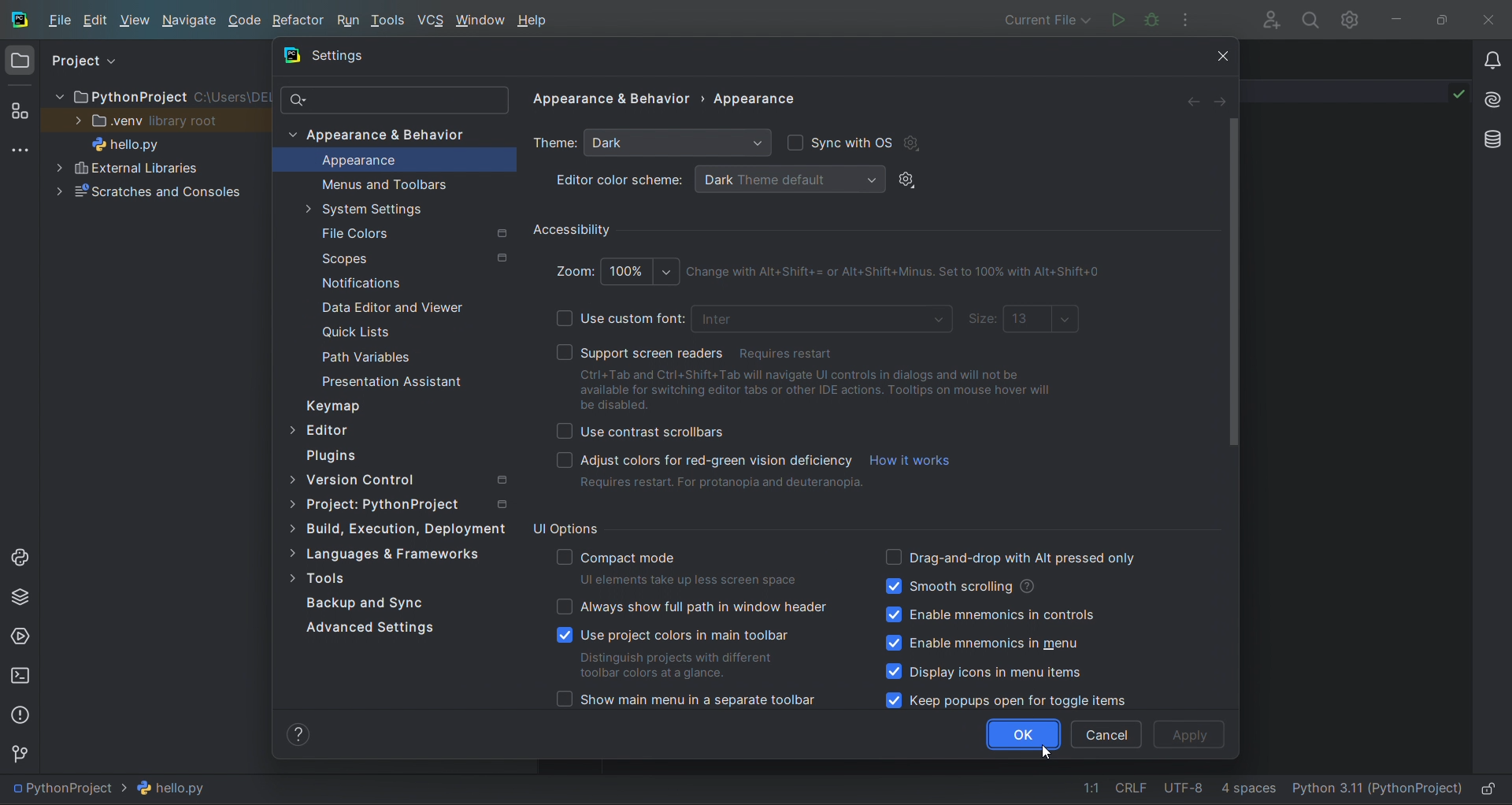 The width and height of the screenshot is (1512, 805). I want to click on file data, so click(1157, 791).